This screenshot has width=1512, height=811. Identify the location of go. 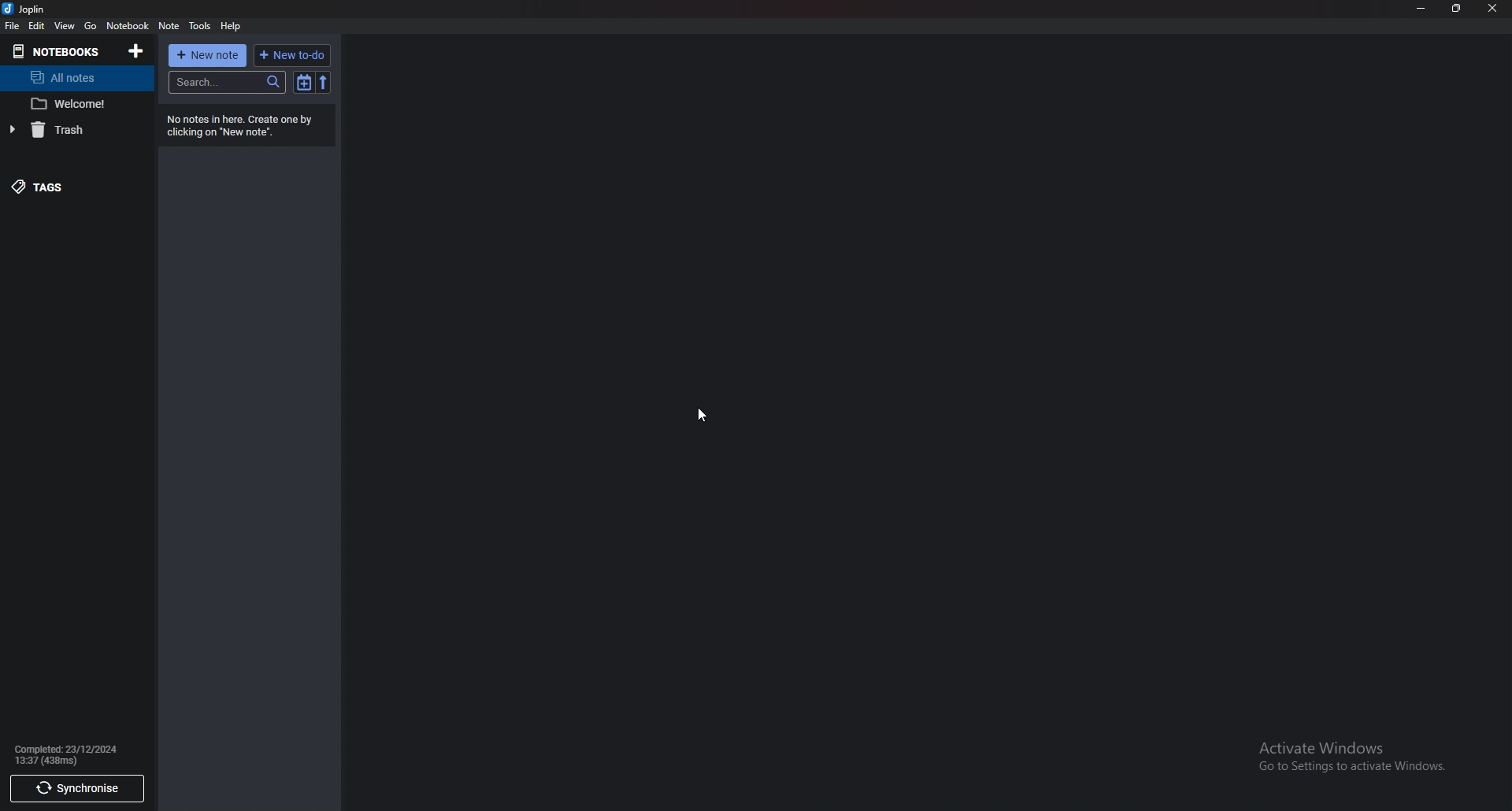
(92, 27).